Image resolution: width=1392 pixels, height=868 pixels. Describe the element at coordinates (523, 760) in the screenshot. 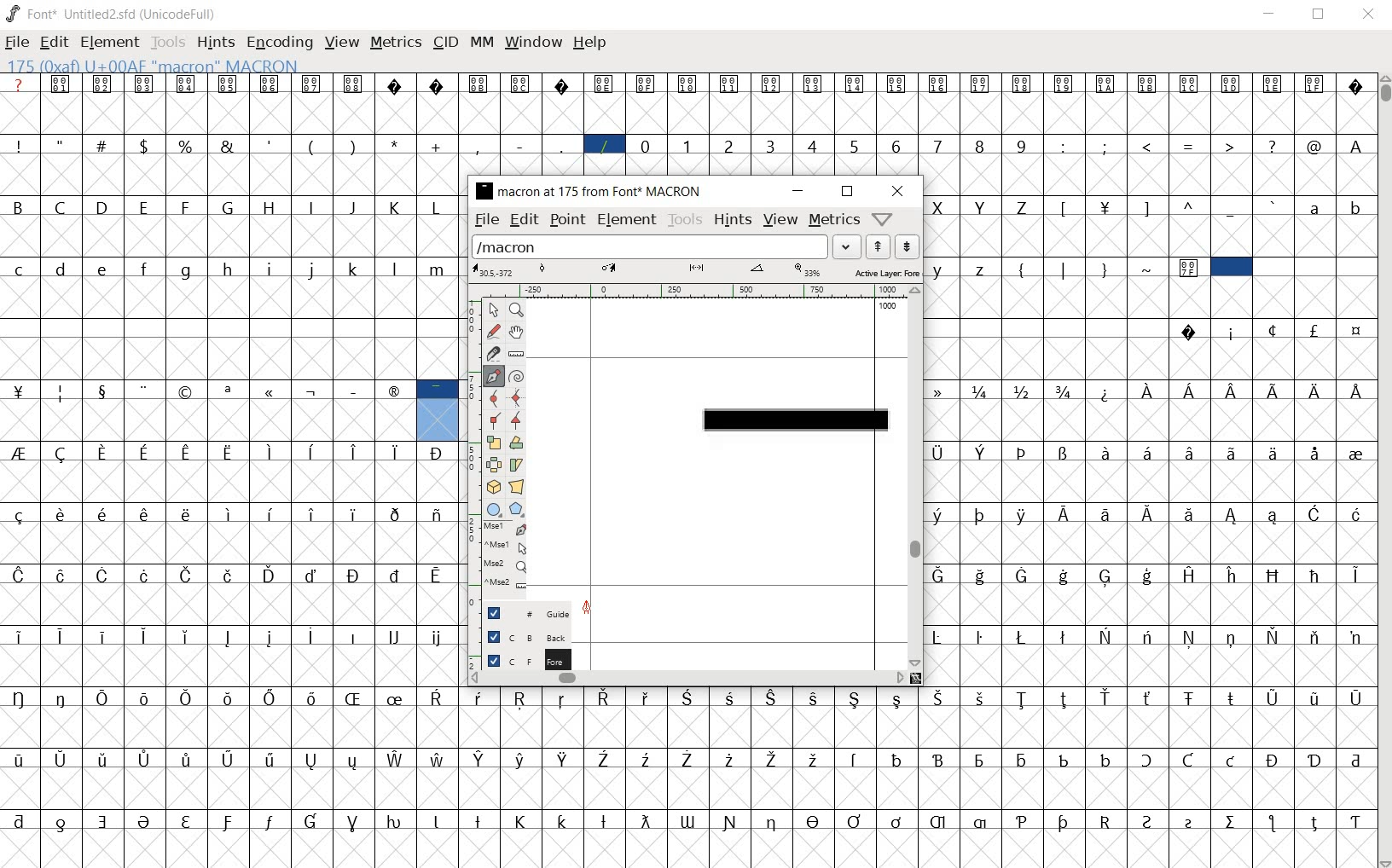

I see `Symbol` at that location.